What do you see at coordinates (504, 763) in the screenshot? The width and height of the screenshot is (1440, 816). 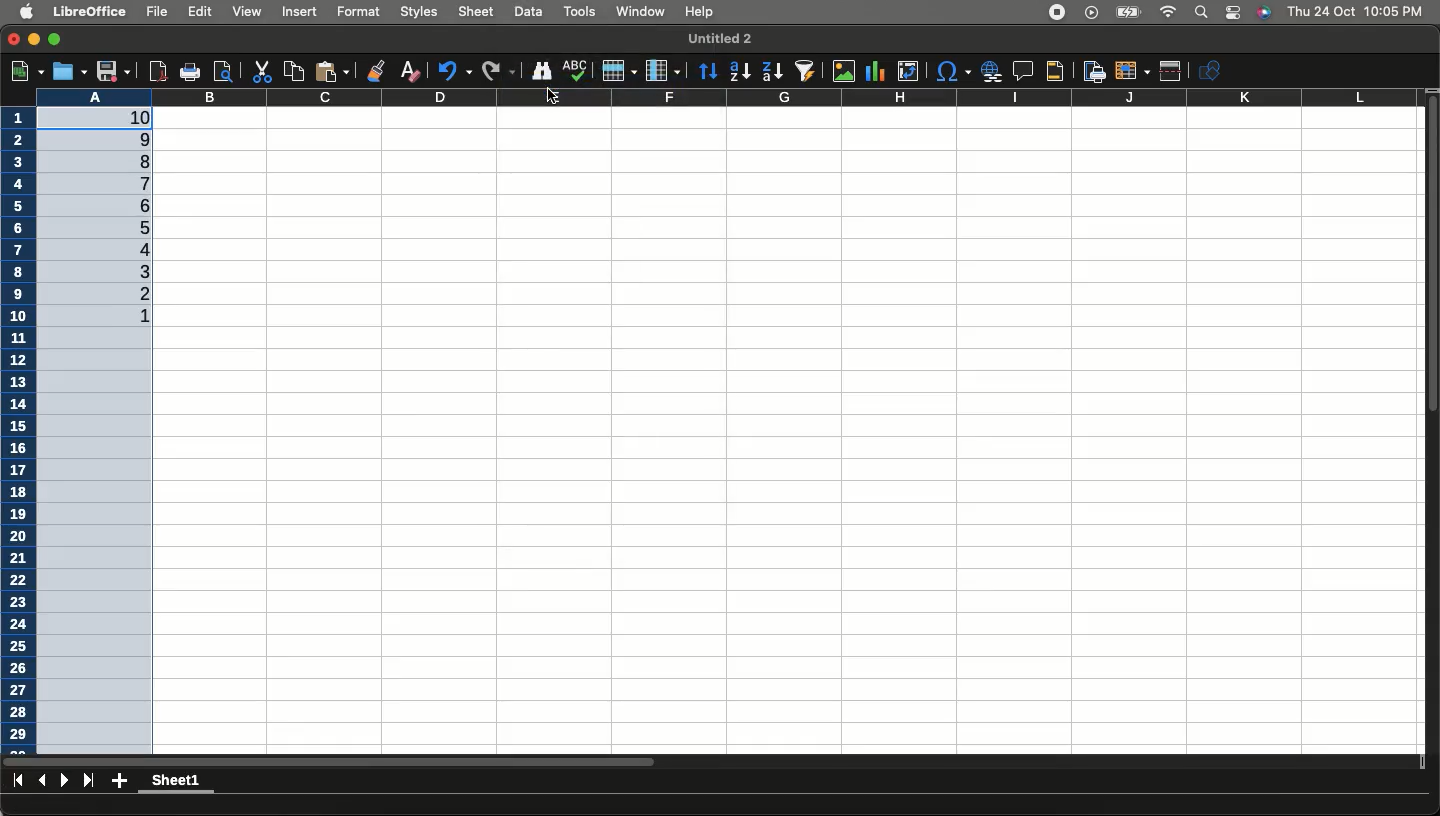 I see `Horizontal Scroll bar` at bounding box center [504, 763].